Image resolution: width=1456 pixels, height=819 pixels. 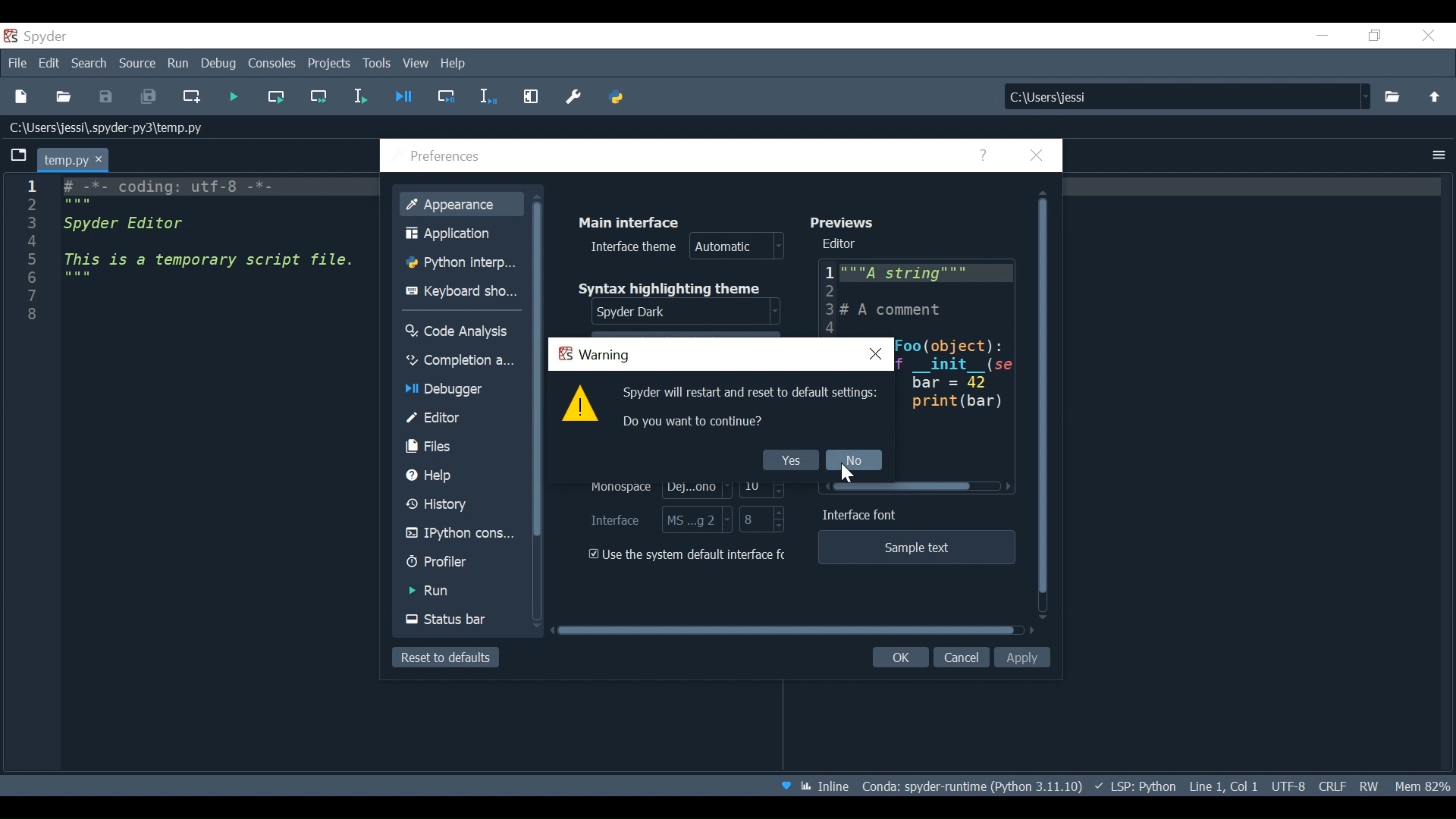 What do you see at coordinates (486, 99) in the screenshot?
I see `Debug selection or current line` at bounding box center [486, 99].